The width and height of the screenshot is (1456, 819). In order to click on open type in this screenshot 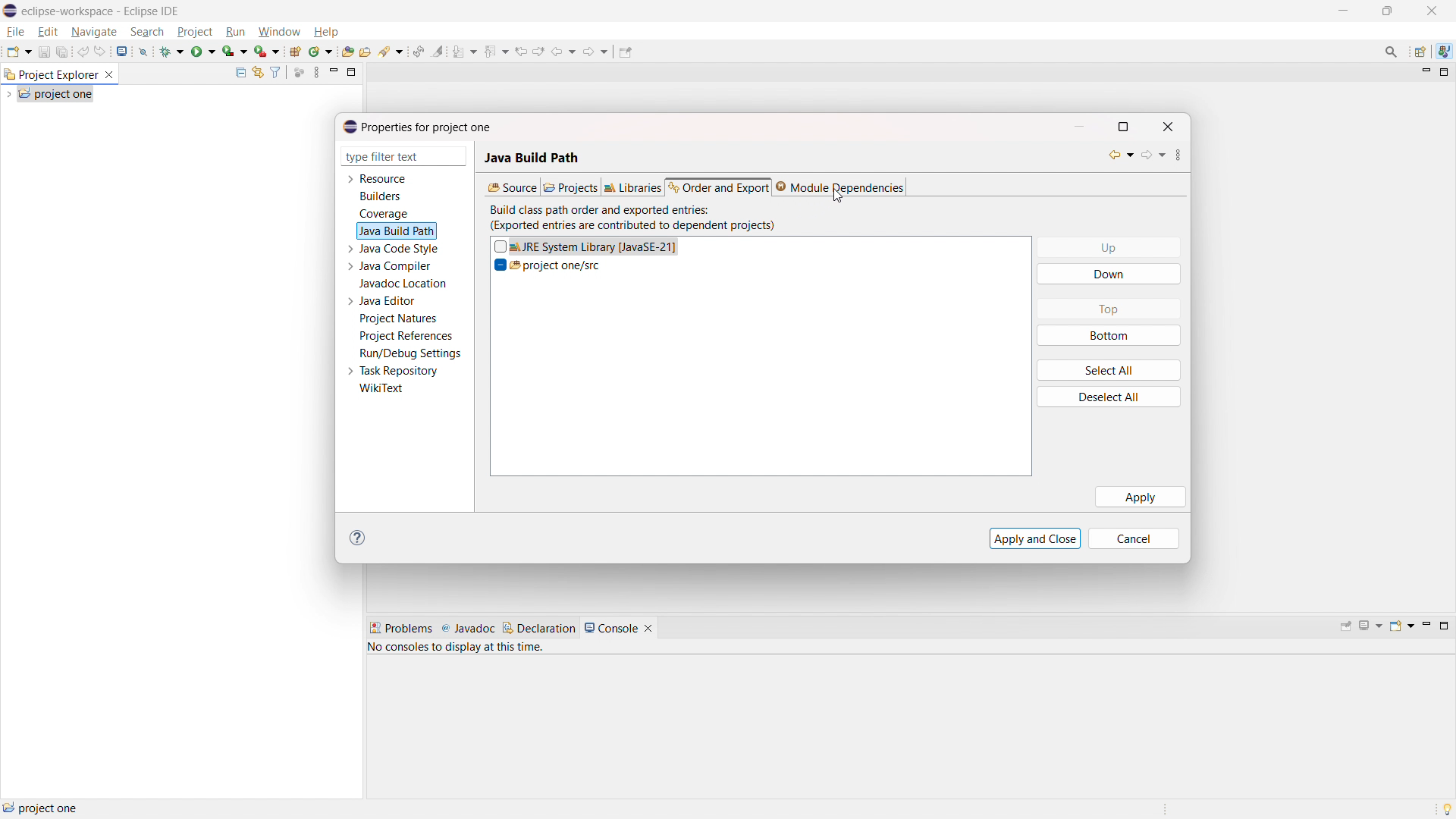, I will do `click(348, 51)`.